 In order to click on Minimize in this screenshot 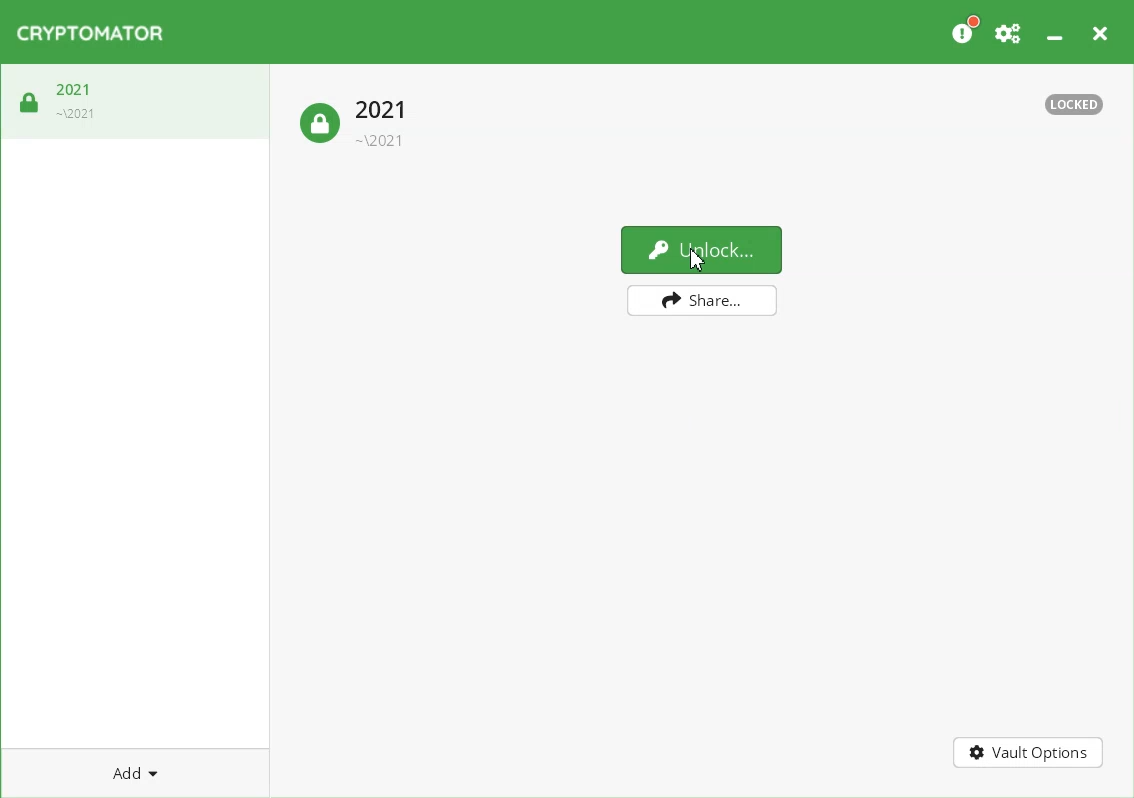, I will do `click(1054, 29)`.